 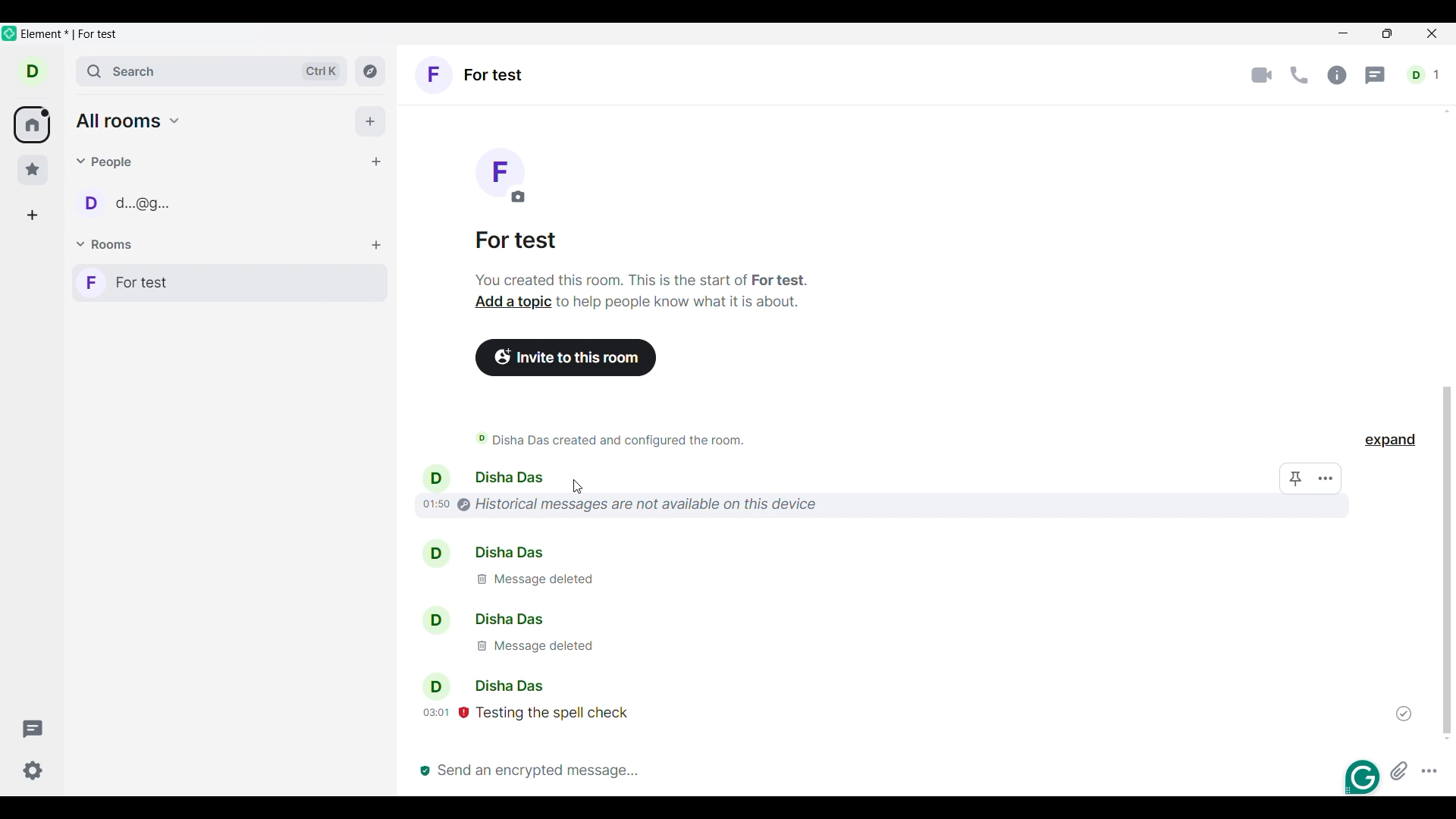 I want to click on message deleted, so click(x=552, y=582).